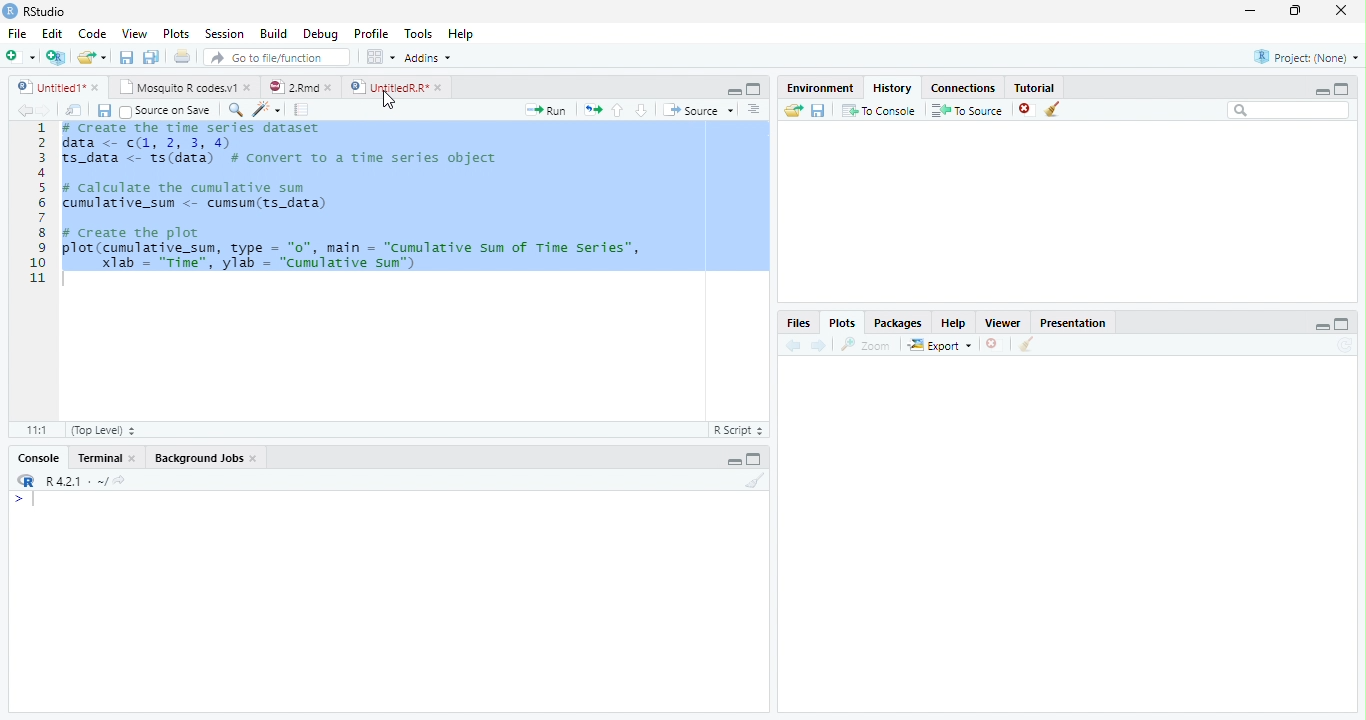 The height and width of the screenshot is (720, 1366). What do you see at coordinates (184, 58) in the screenshot?
I see `Print` at bounding box center [184, 58].